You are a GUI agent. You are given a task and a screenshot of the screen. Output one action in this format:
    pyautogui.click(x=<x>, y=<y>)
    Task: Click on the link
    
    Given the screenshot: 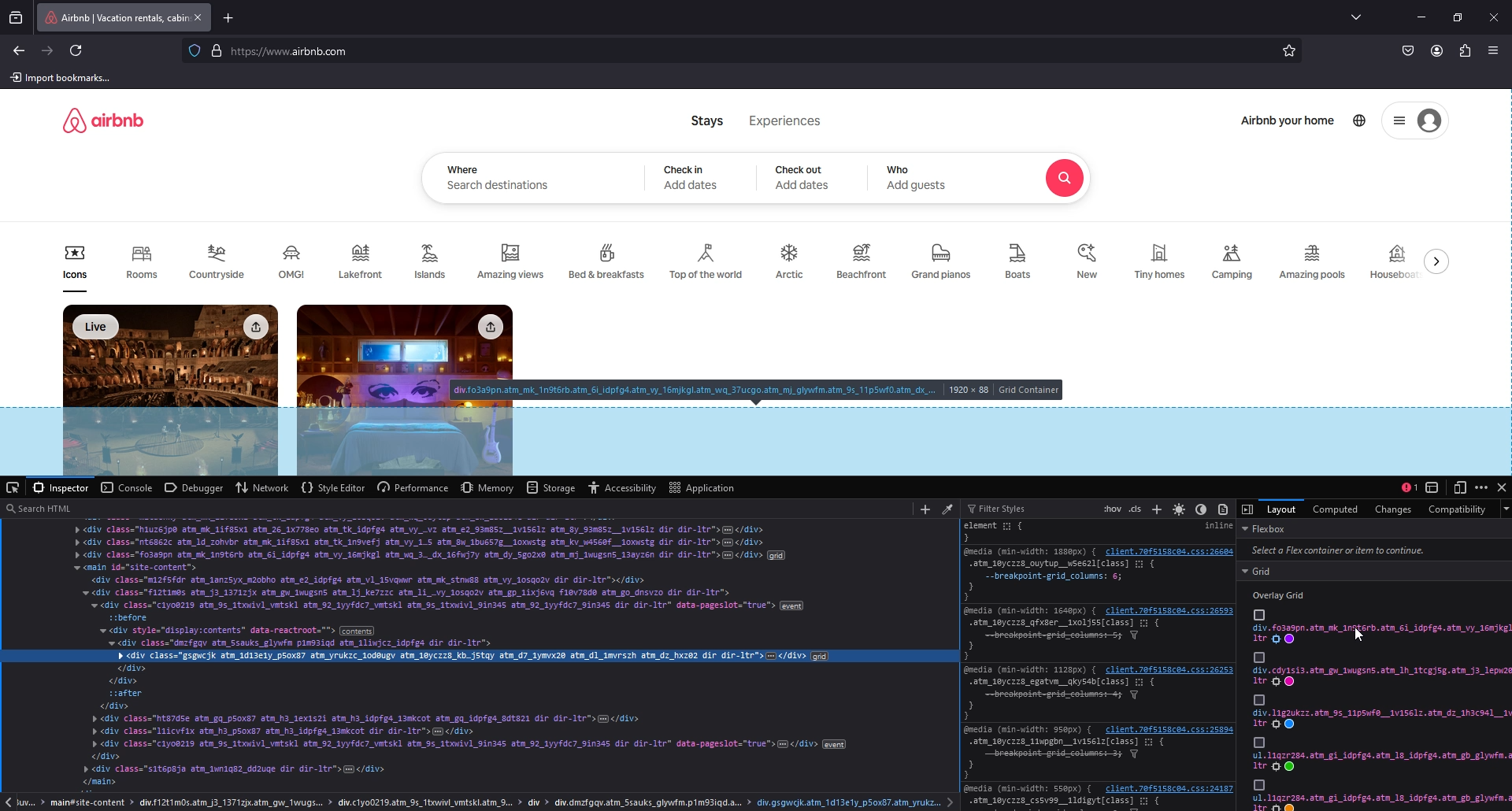 What is the action you would take?
    pyautogui.click(x=1169, y=550)
    